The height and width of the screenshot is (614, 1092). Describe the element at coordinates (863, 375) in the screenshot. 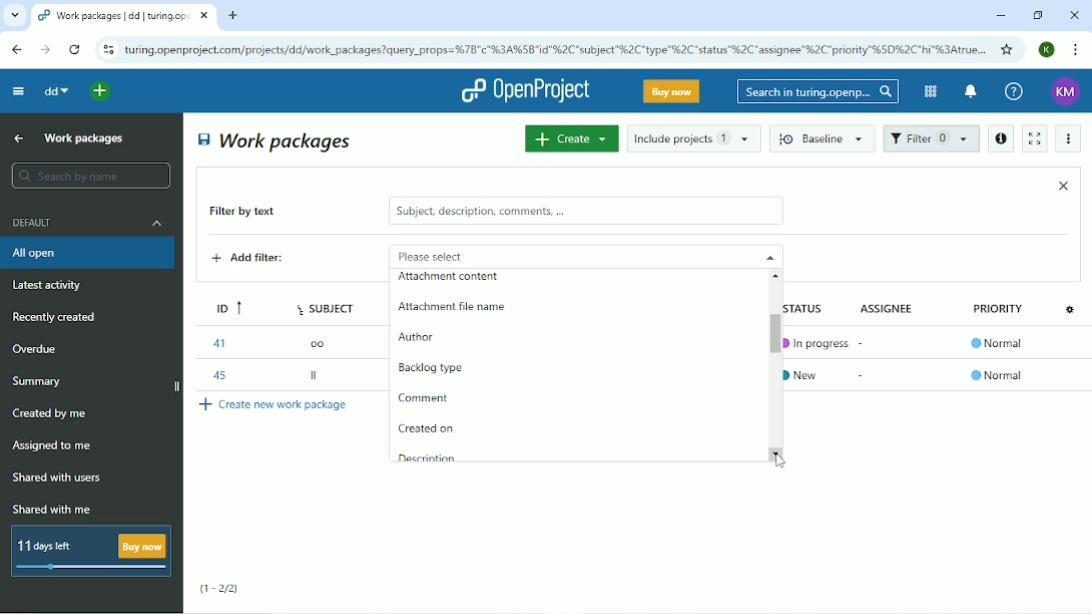

I see `-` at that location.